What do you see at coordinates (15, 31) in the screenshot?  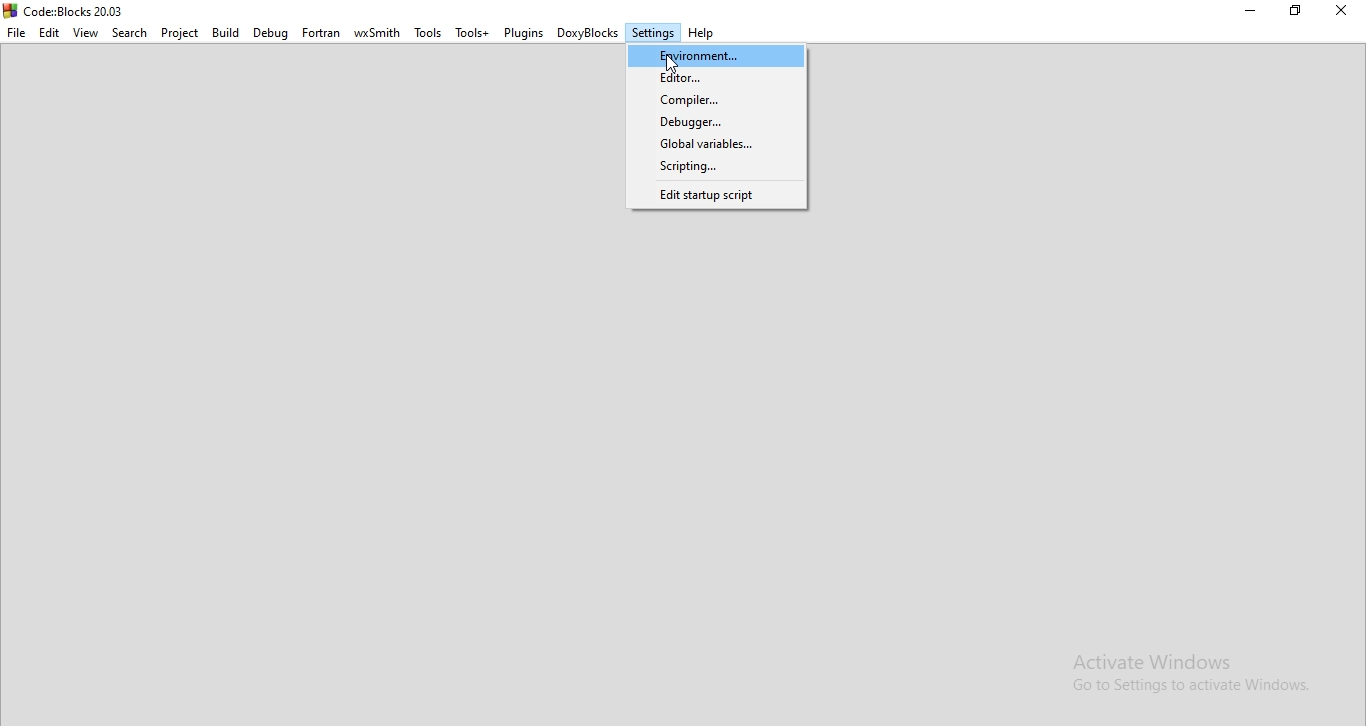 I see `file` at bounding box center [15, 31].